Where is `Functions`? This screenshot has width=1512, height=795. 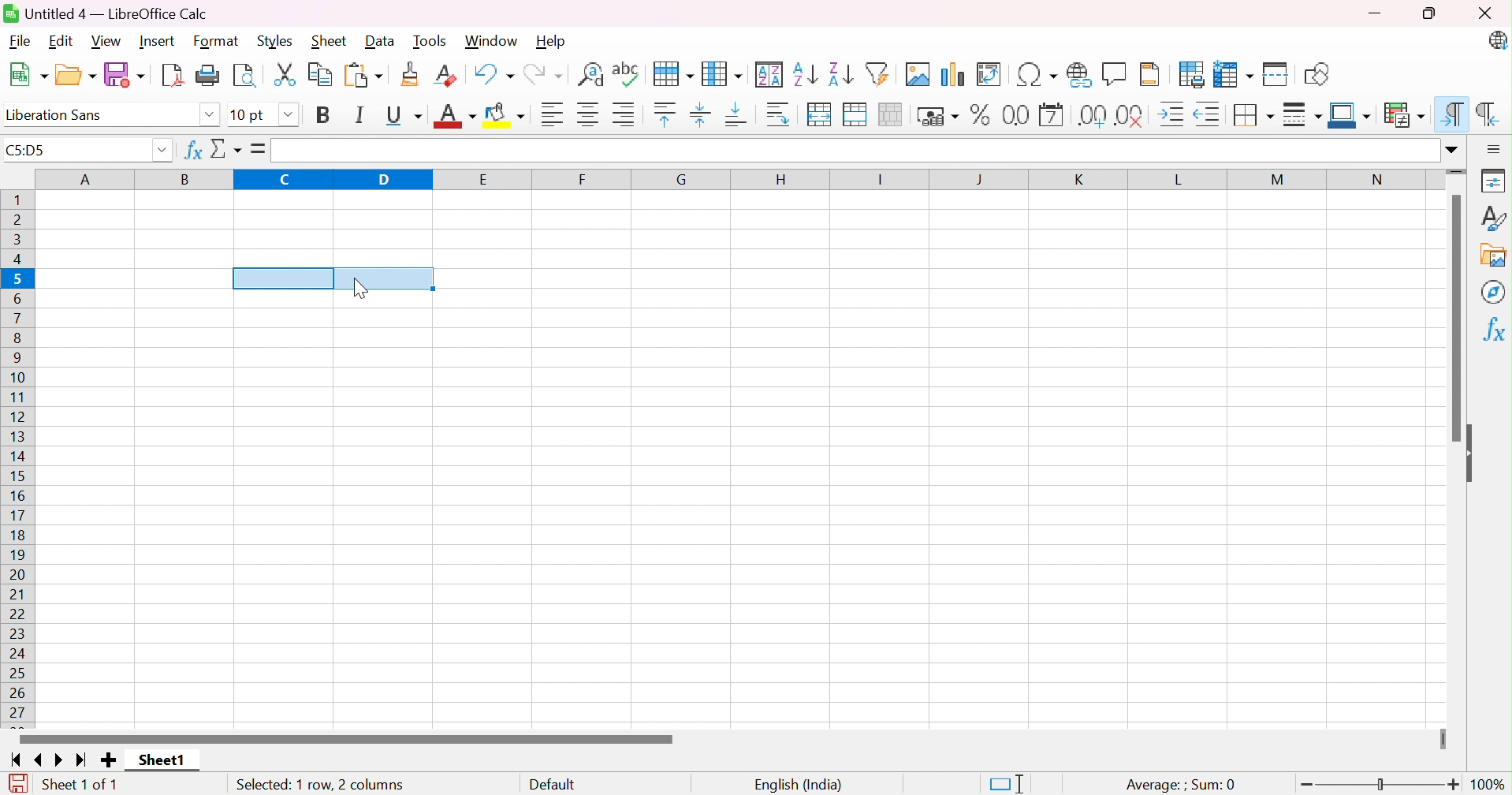 Functions is located at coordinates (1492, 330).